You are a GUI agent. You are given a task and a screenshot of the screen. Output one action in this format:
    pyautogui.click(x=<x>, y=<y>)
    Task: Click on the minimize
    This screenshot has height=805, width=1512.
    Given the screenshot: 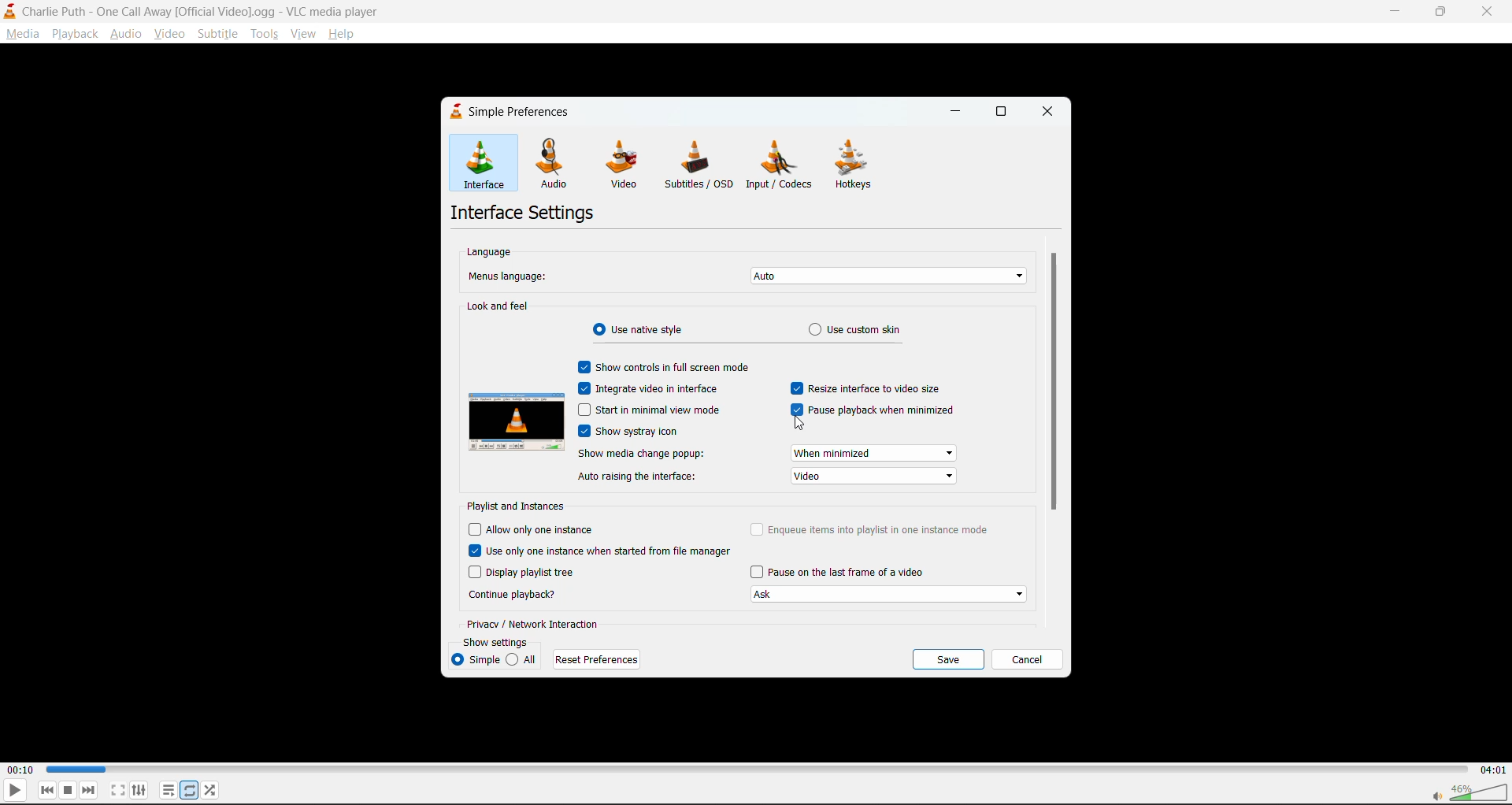 What is the action you would take?
    pyautogui.click(x=962, y=110)
    